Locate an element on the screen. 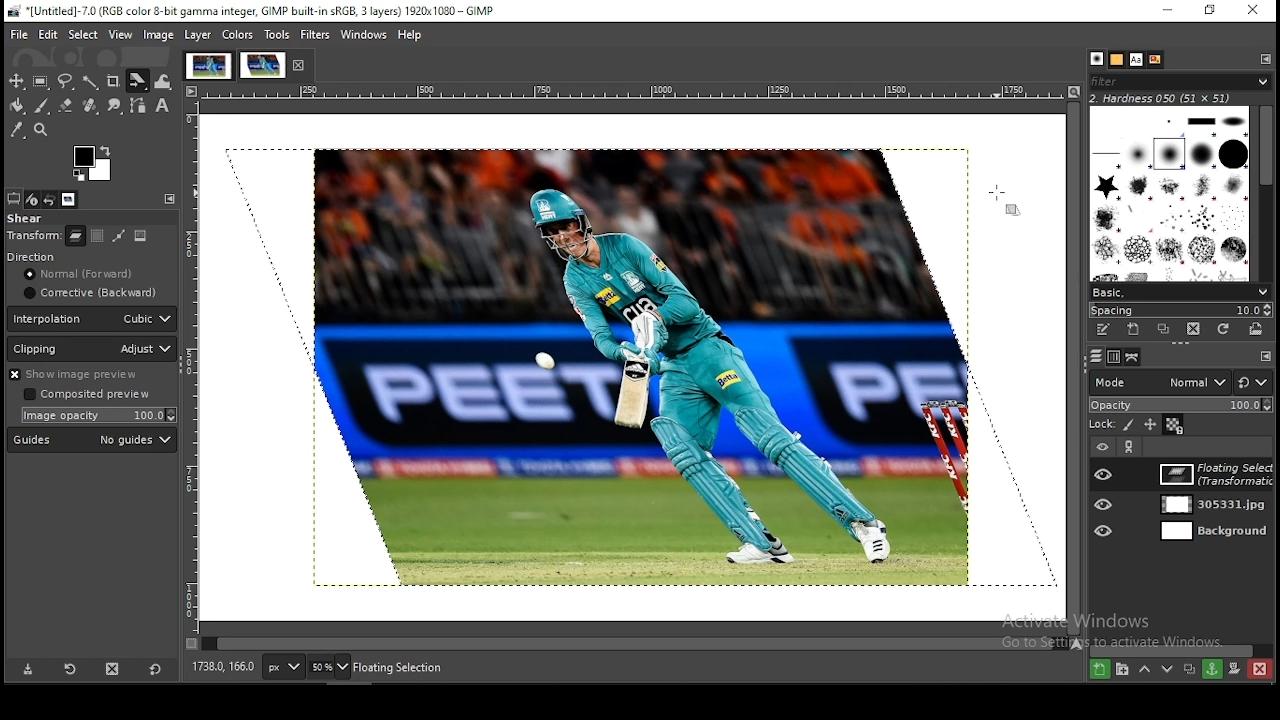 This screenshot has height=720, width=1280. tools is located at coordinates (277, 35).